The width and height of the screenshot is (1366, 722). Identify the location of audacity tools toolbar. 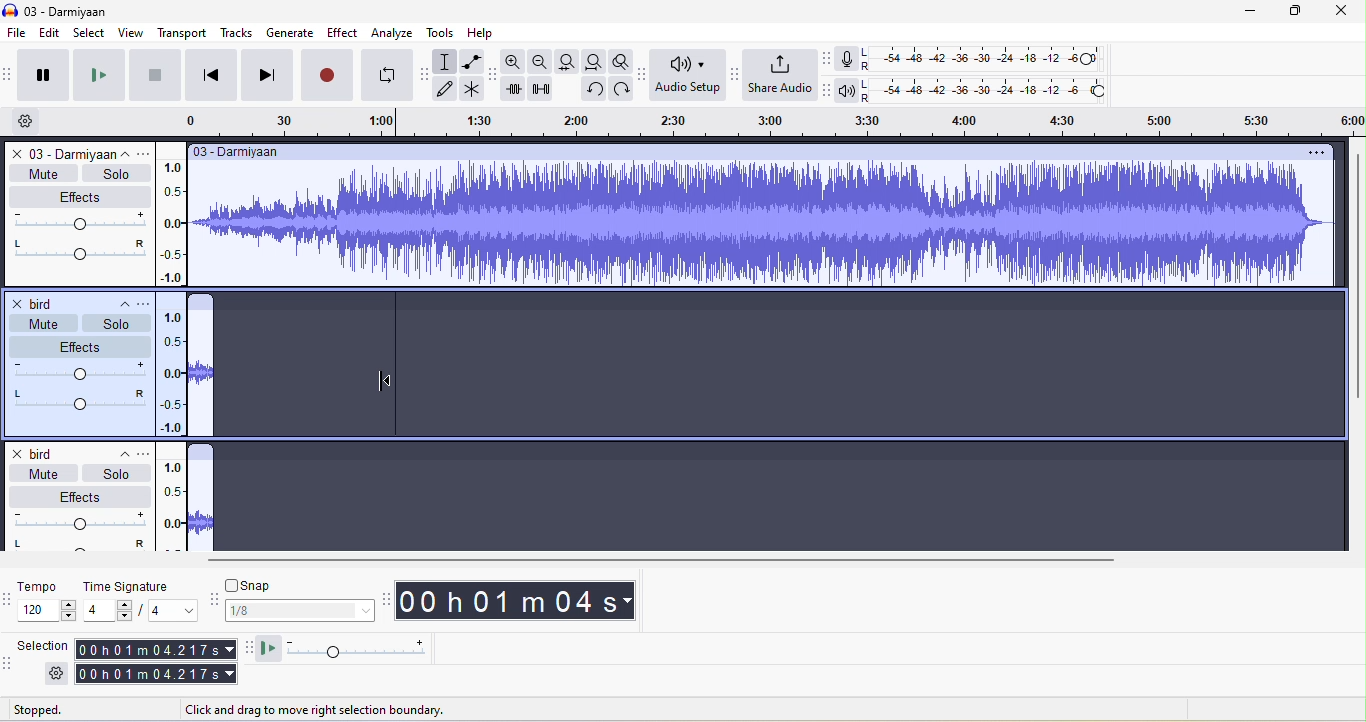
(426, 75).